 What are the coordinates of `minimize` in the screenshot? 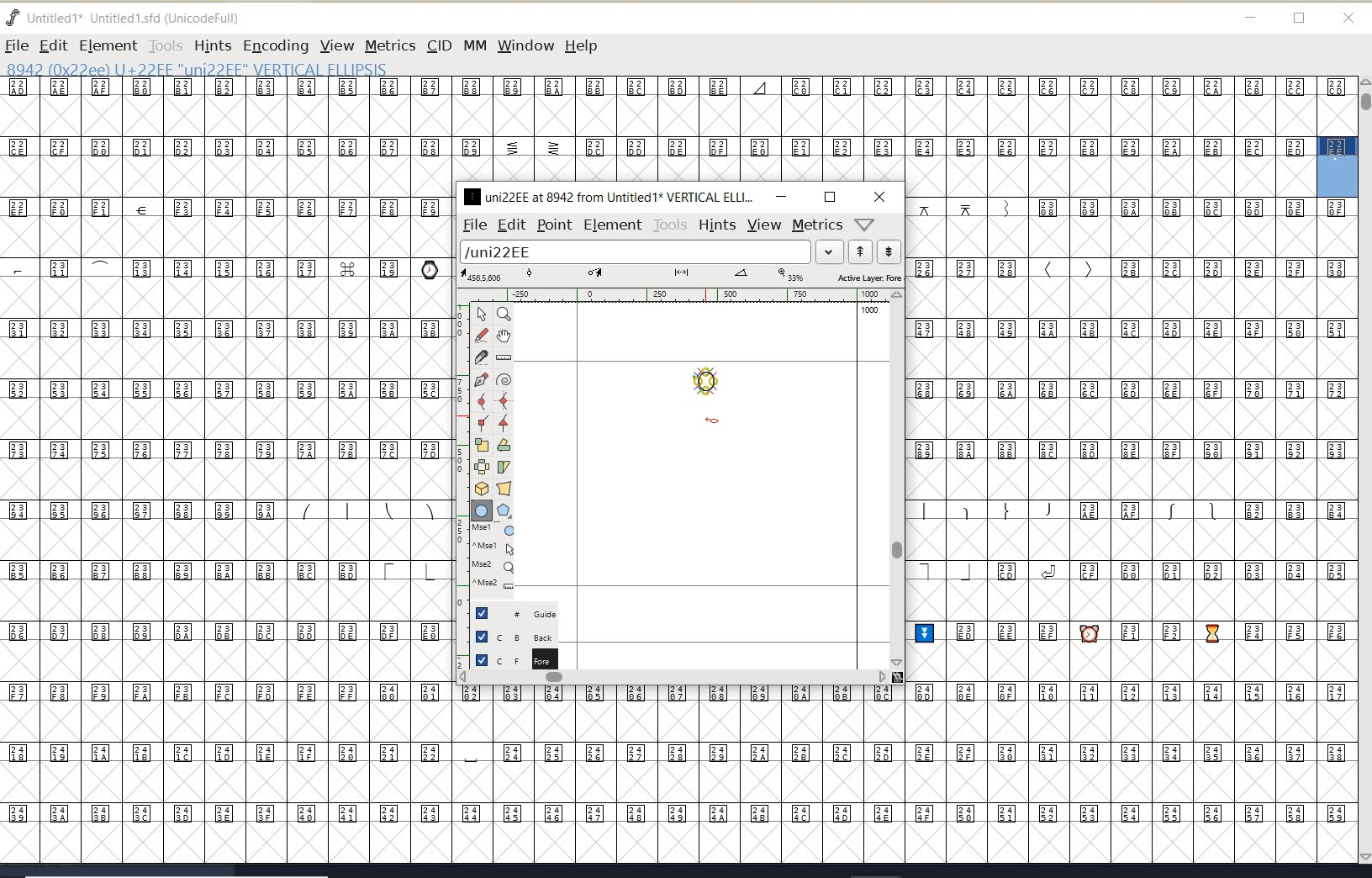 It's located at (1251, 18).